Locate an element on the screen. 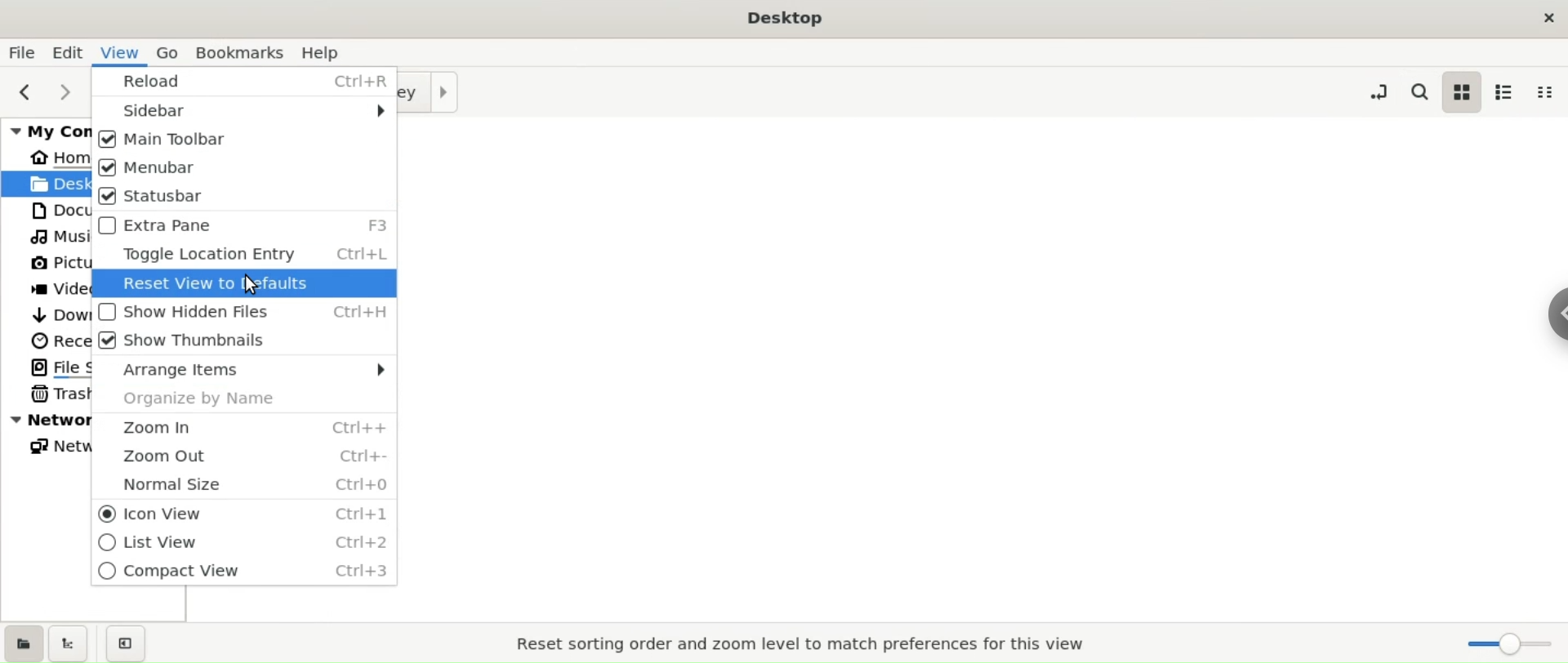 The width and height of the screenshot is (1568, 663). chrome options is located at coordinates (1548, 309).